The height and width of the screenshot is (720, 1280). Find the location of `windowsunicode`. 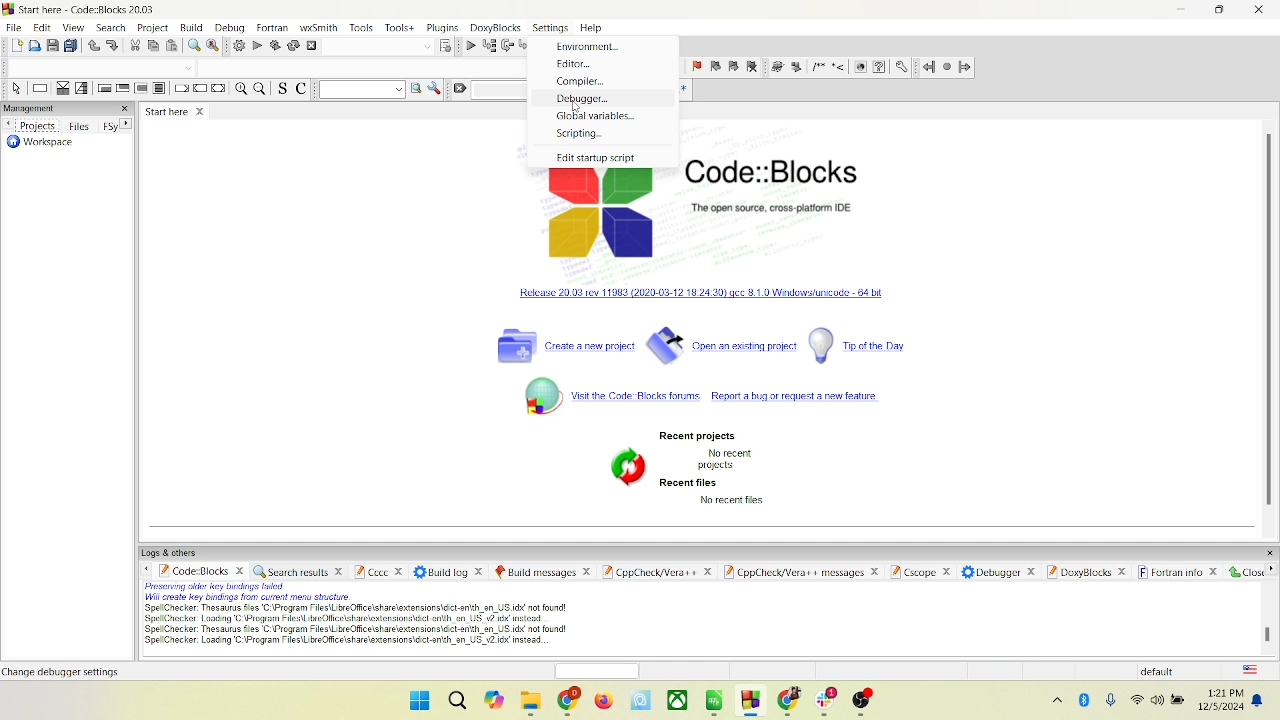

windowsunicode is located at coordinates (704, 291).